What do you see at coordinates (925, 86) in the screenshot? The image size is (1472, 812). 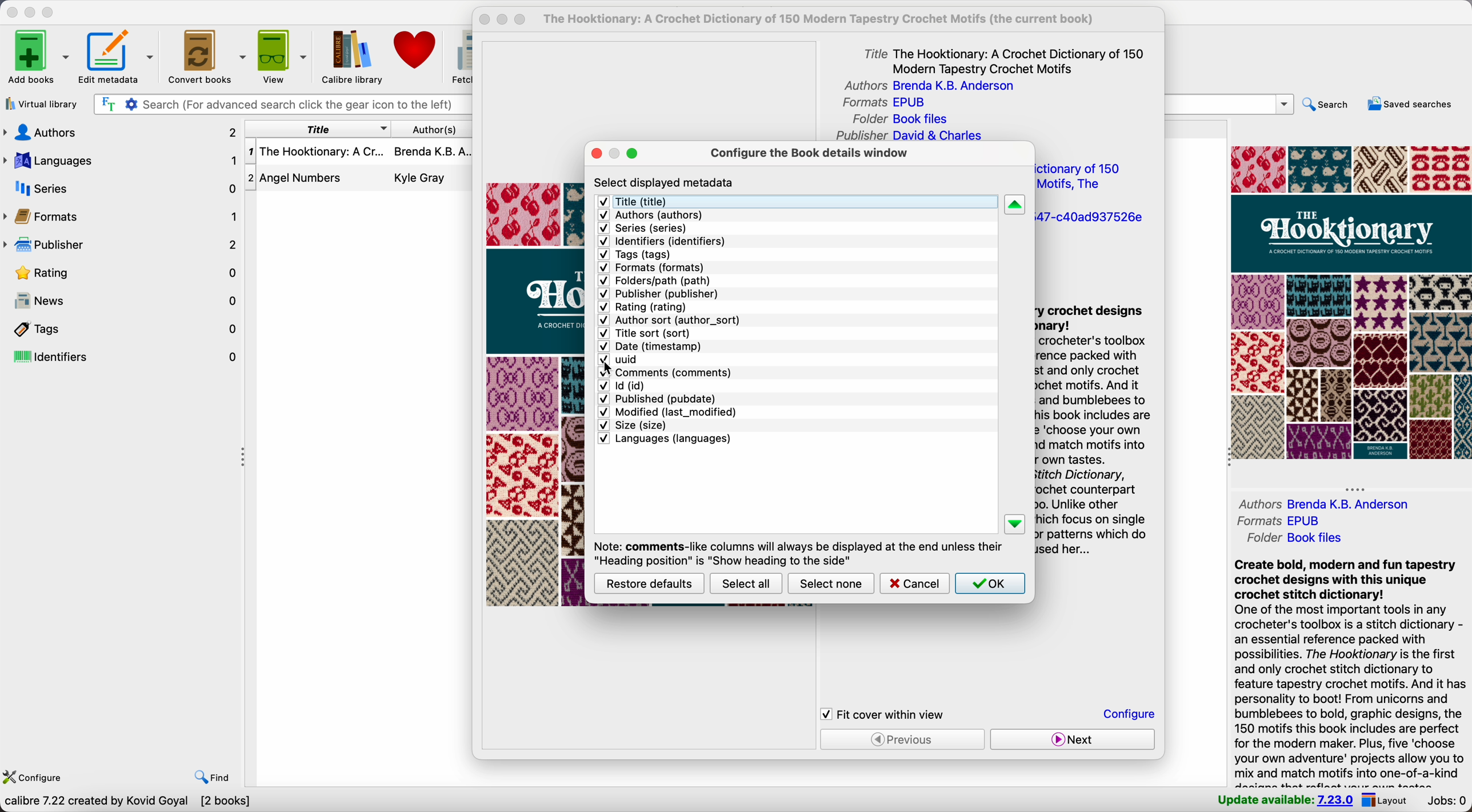 I see `authors` at bounding box center [925, 86].